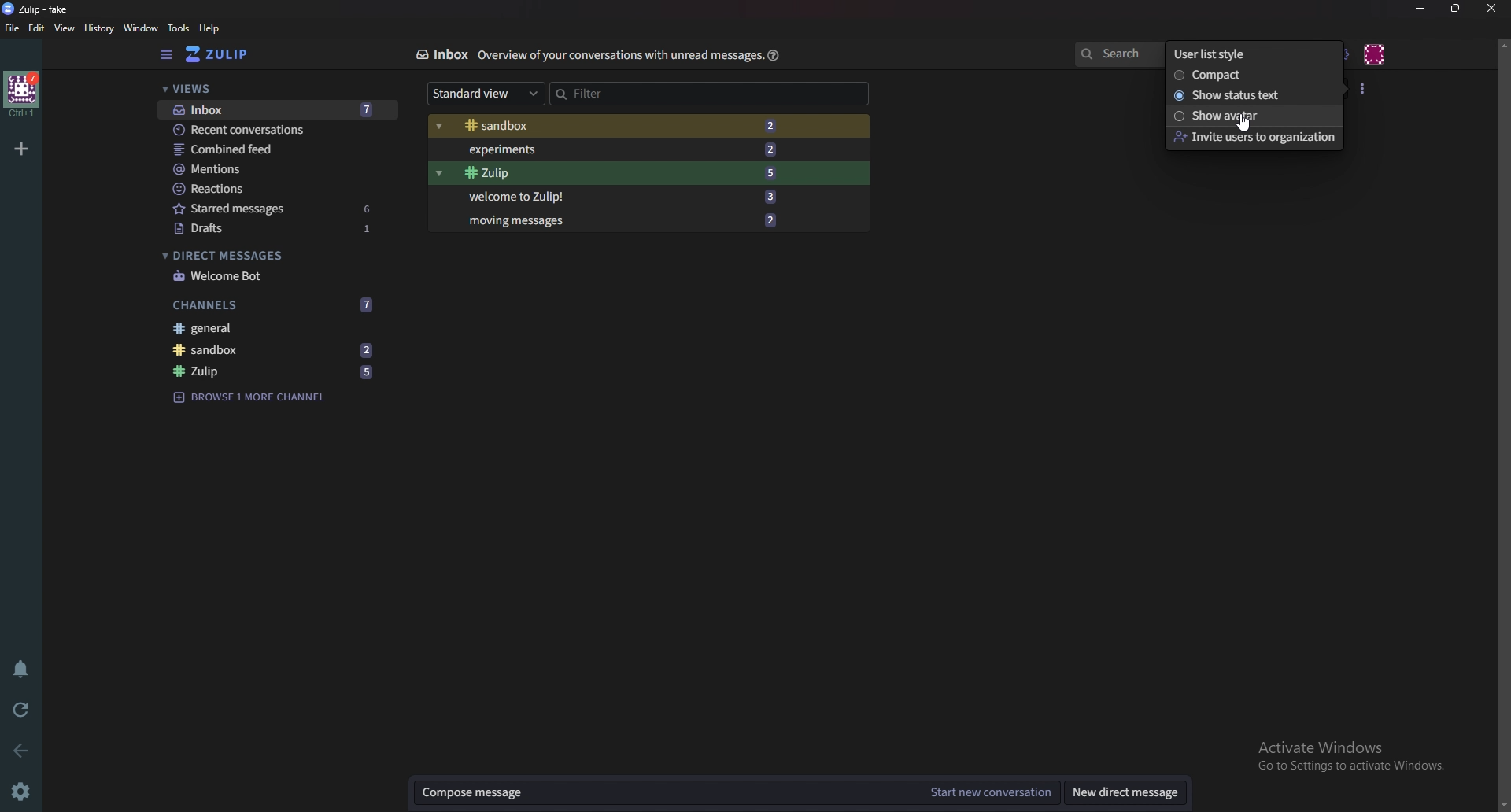  What do you see at coordinates (168, 56) in the screenshot?
I see `Hide sidebar` at bounding box center [168, 56].